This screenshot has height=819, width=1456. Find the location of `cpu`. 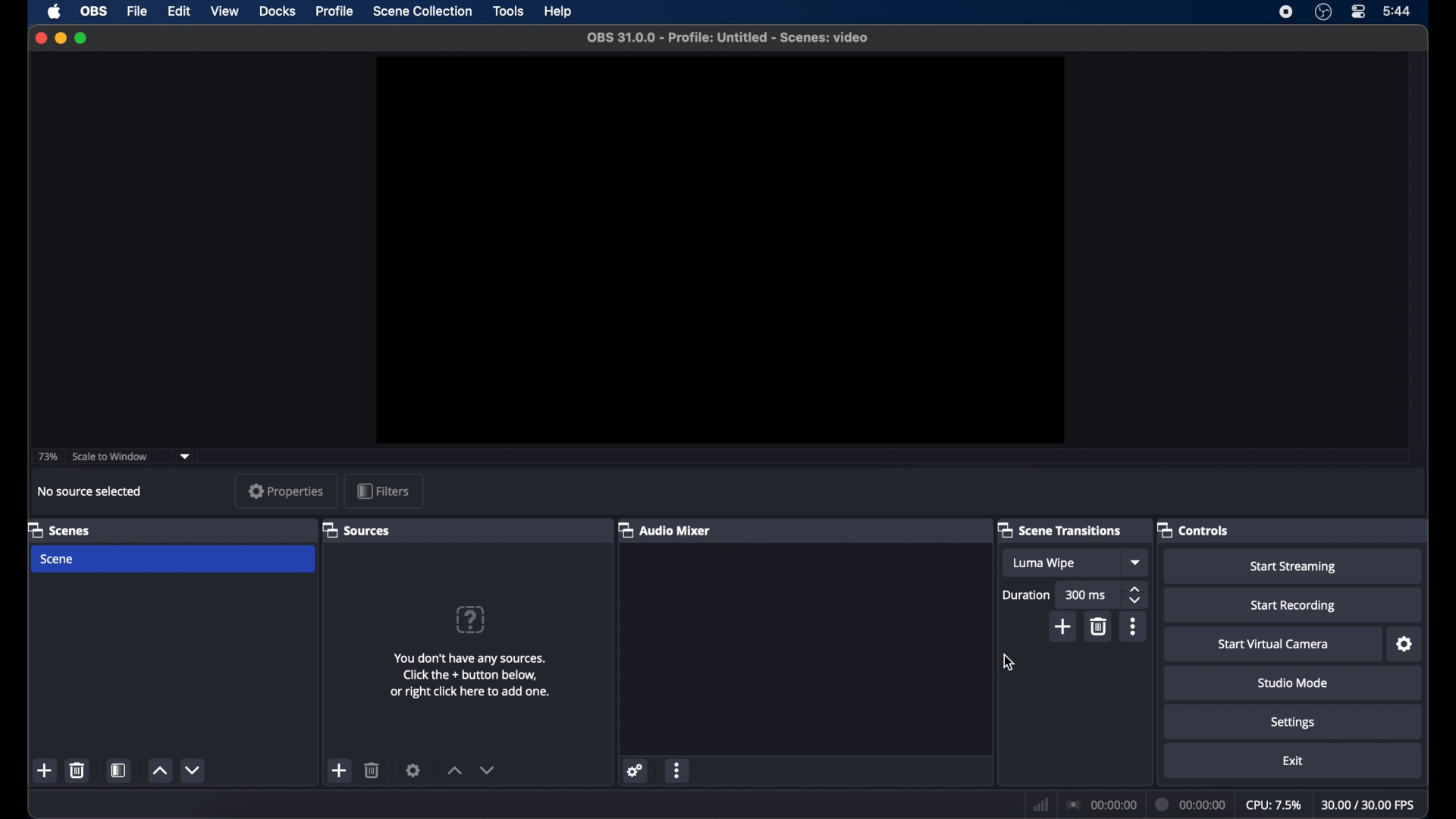

cpu is located at coordinates (1272, 805).